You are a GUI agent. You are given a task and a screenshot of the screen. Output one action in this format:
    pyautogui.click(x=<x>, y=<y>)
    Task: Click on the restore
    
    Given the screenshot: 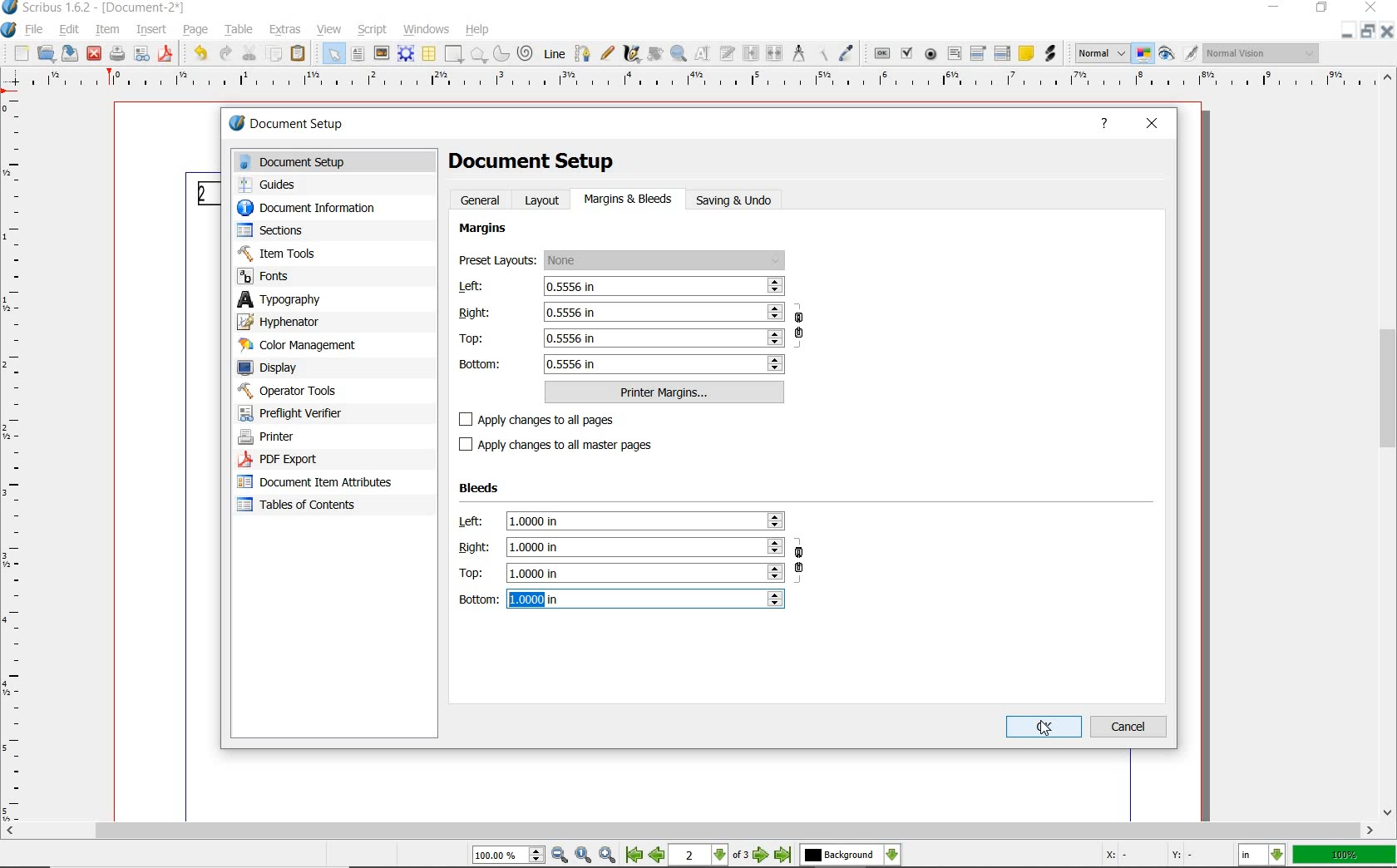 What is the action you would take?
    pyautogui.click(x=1321, y=9)
    